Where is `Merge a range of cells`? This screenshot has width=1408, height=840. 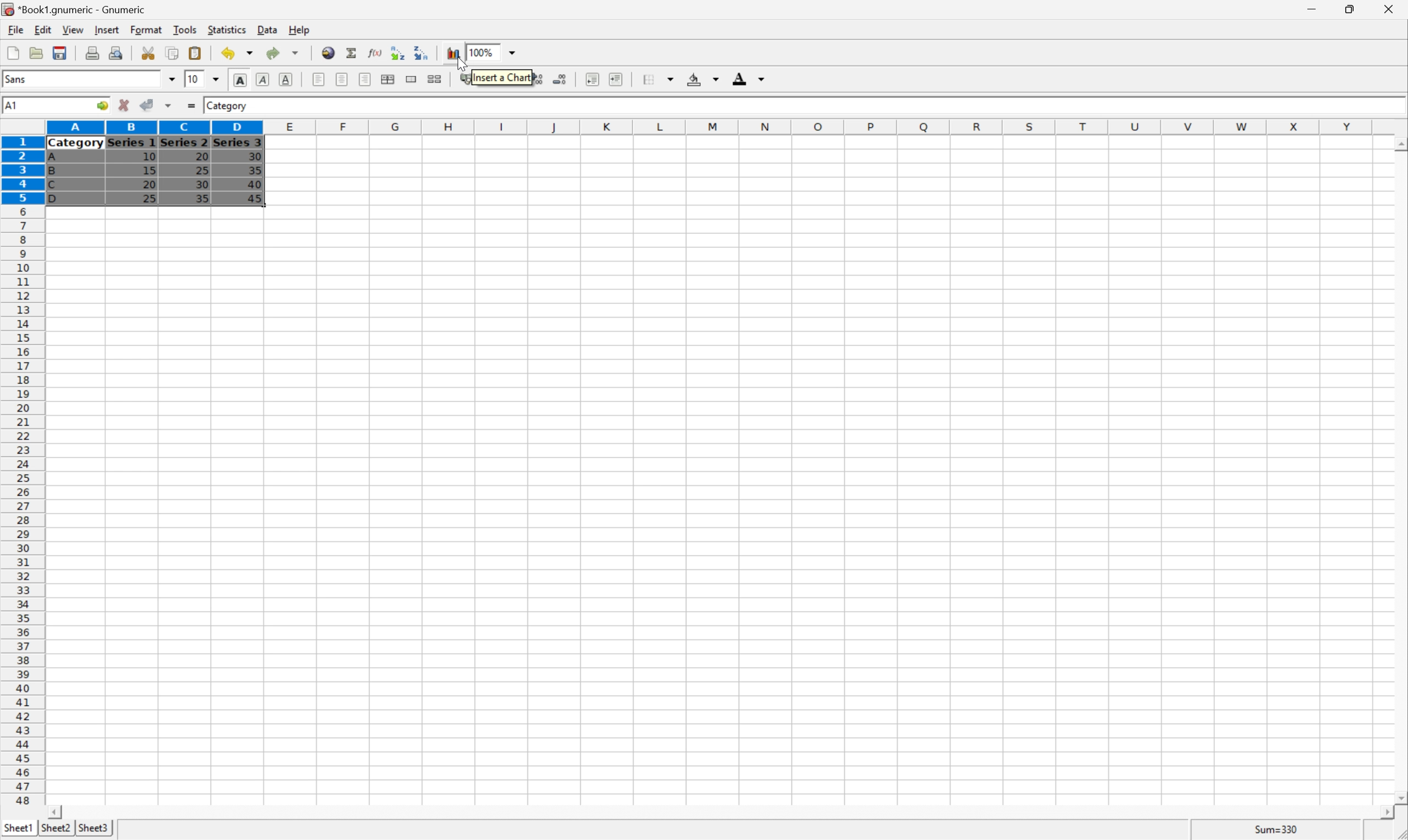 Merge a range of cells is located at coordinates (410, 79).